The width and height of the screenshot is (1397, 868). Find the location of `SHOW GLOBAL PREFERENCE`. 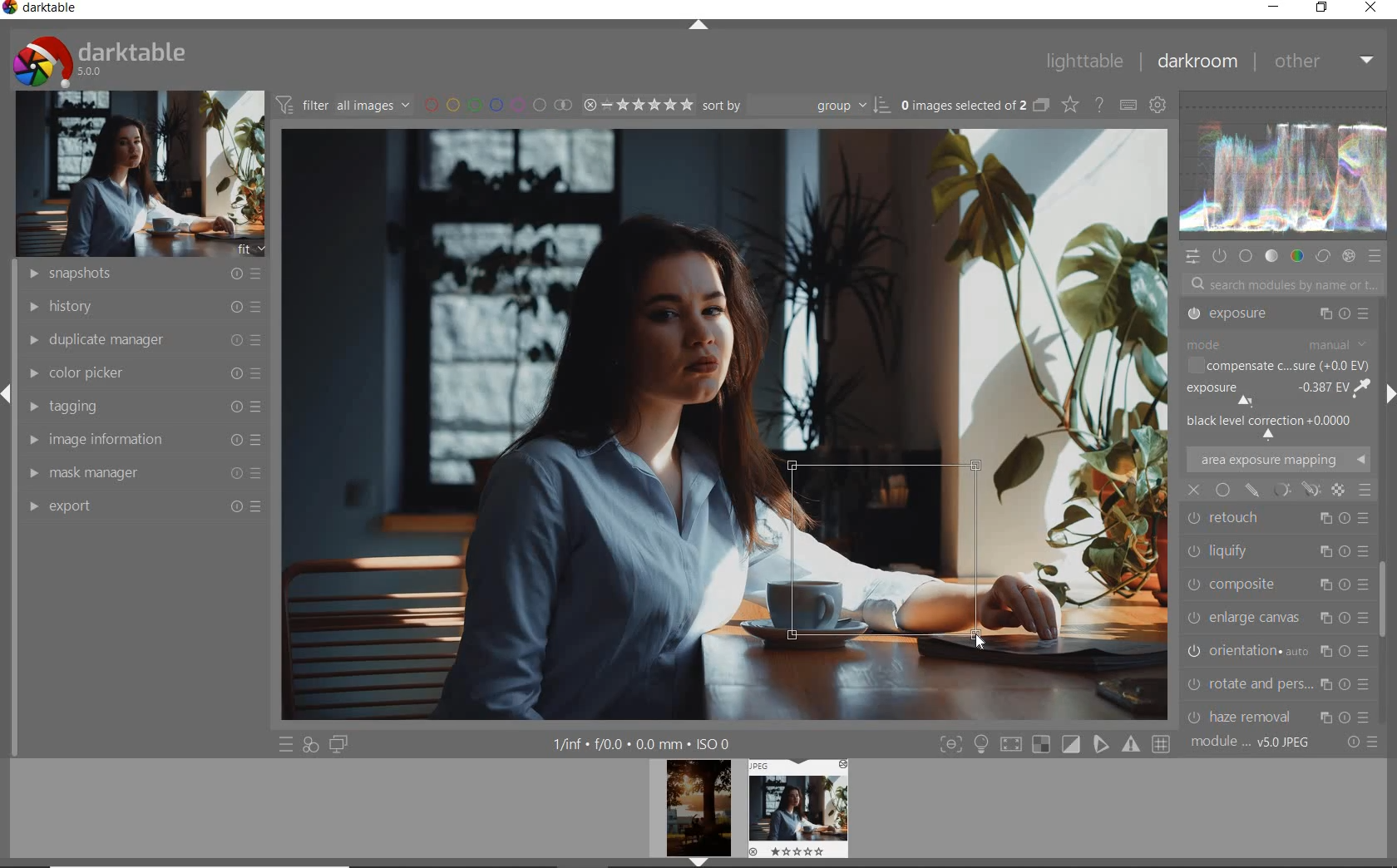

SHOW GLOBAL PREFERENCE is located at coordinates (1159, 105).